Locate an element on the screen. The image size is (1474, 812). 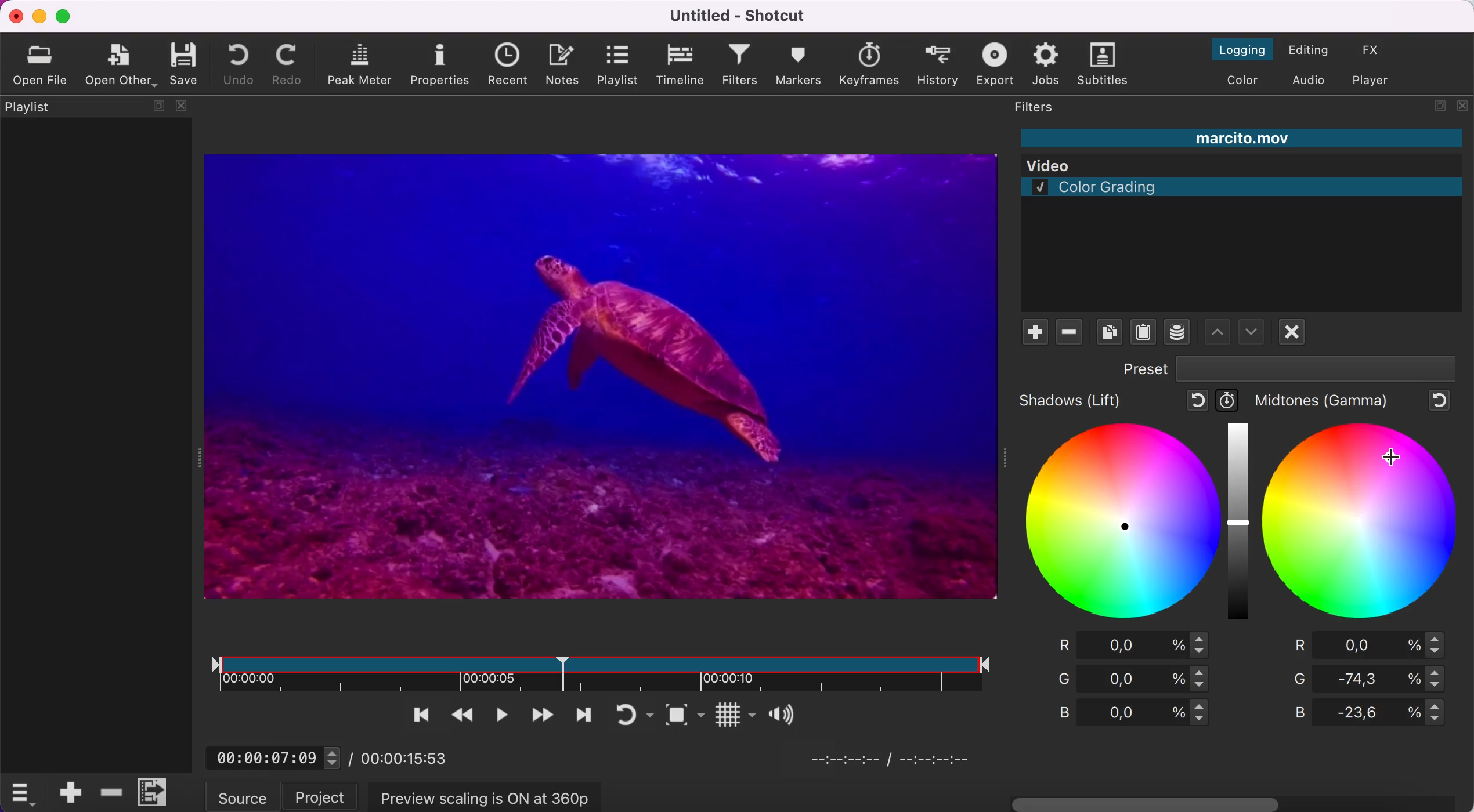
preview scaling is on at 360p is located at coordinates (482, 797).